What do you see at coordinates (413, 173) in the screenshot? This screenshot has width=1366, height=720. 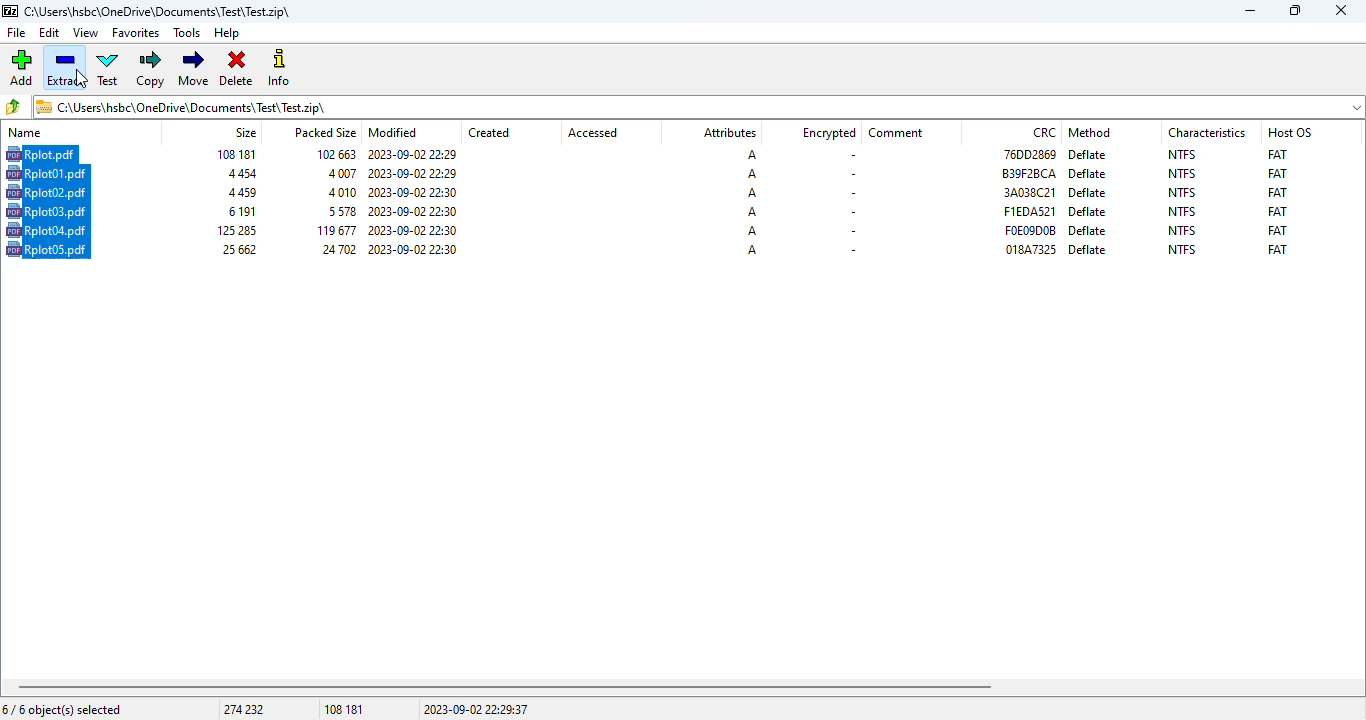 I see `modified date & time` at bounding box center [413, 173].